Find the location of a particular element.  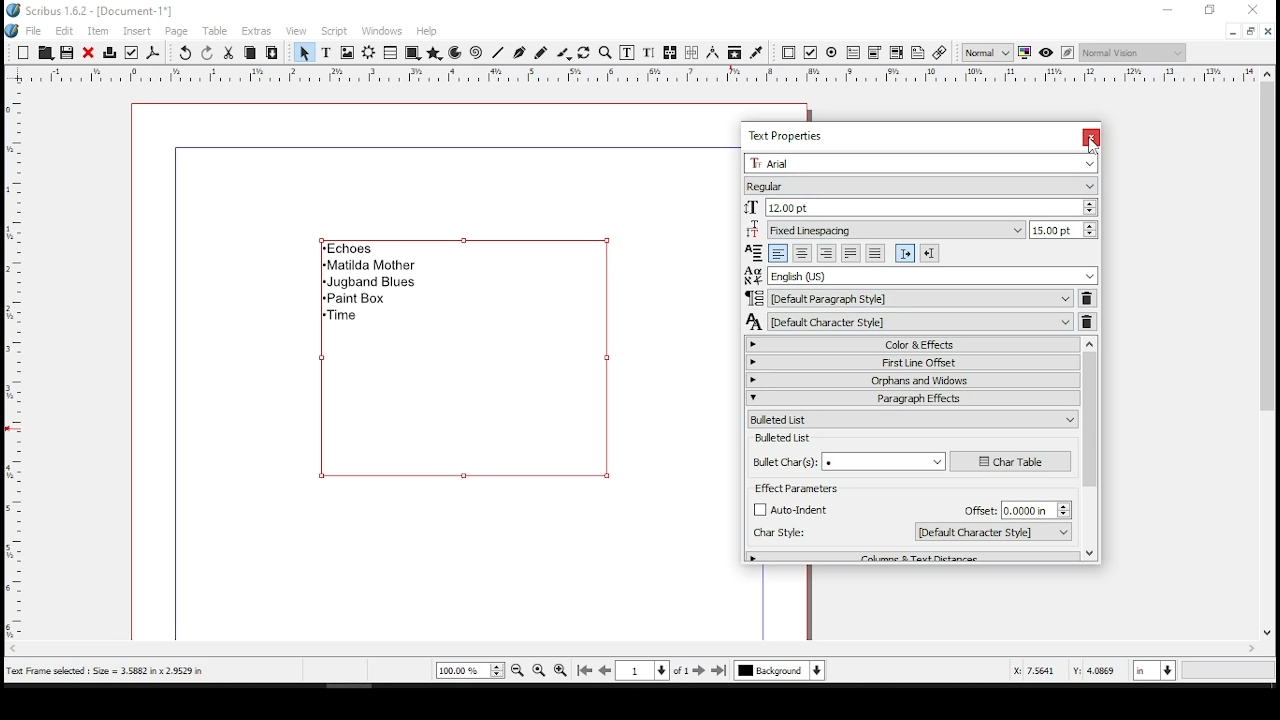

align text forced justified is located at coordinates (874, 253).